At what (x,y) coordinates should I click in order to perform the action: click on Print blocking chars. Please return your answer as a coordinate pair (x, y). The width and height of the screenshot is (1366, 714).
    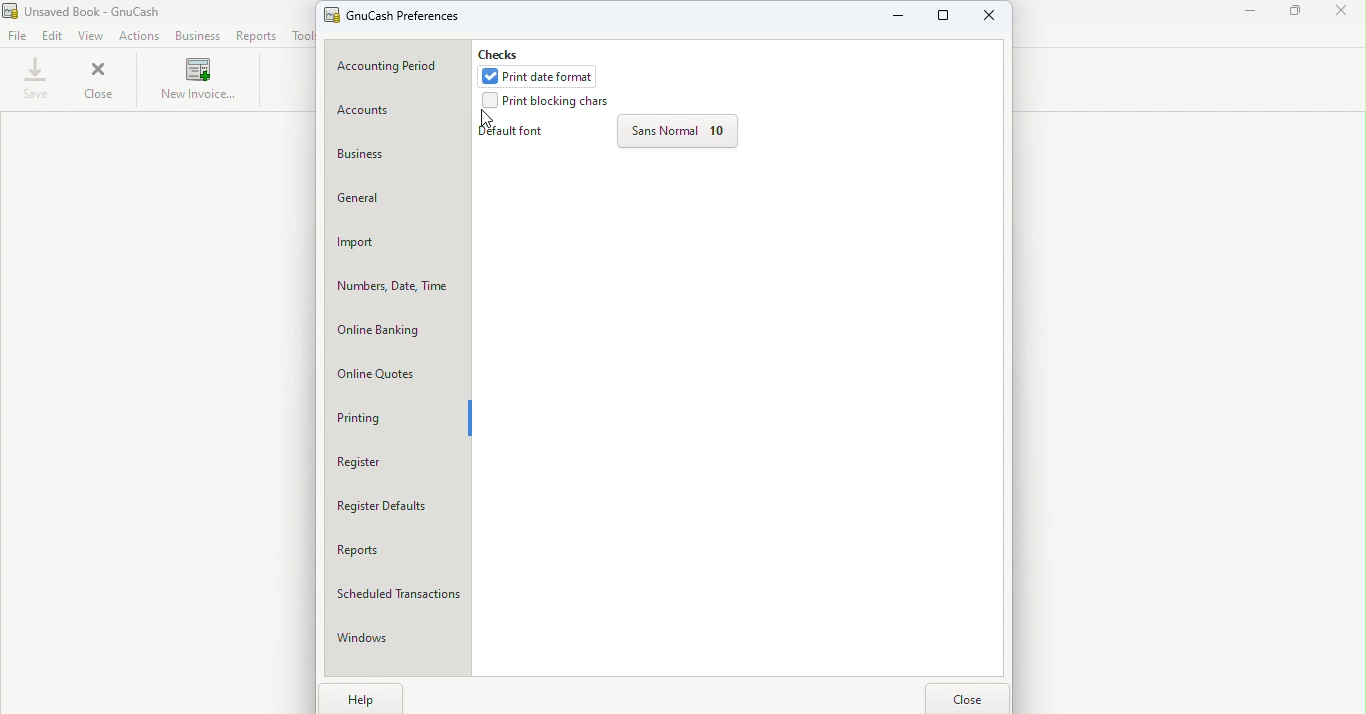
    Looking at the image, I should click on (543, 101).